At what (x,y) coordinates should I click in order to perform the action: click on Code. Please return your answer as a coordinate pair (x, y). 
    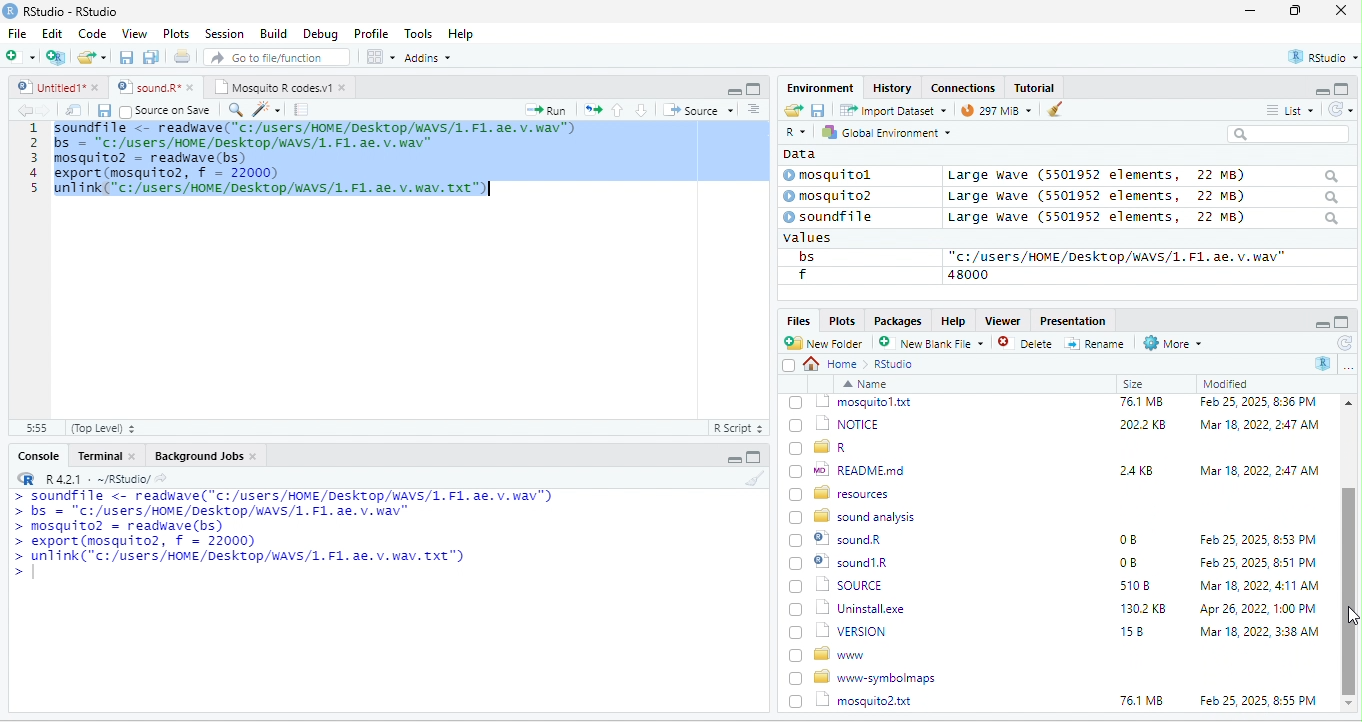
    Looking at the image, I should click on (93, 33).